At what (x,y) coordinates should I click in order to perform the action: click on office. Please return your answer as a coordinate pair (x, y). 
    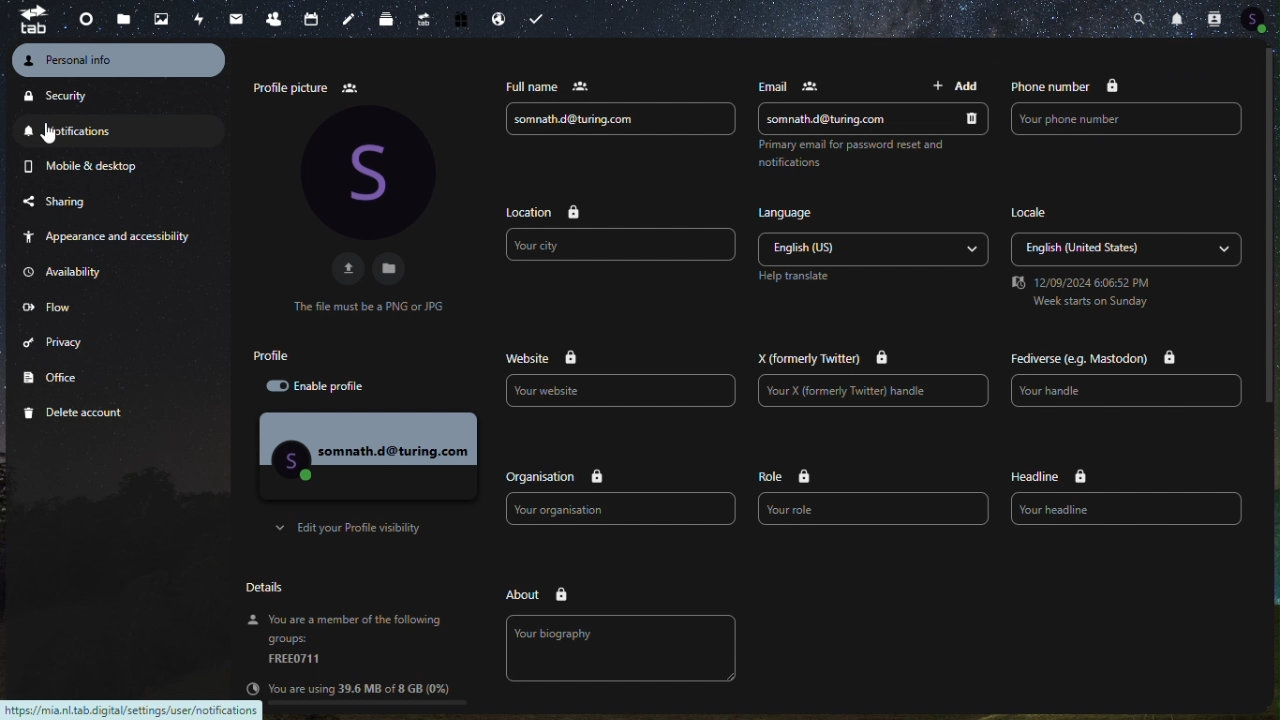
    Looking at the image, I should click on (85, 374).